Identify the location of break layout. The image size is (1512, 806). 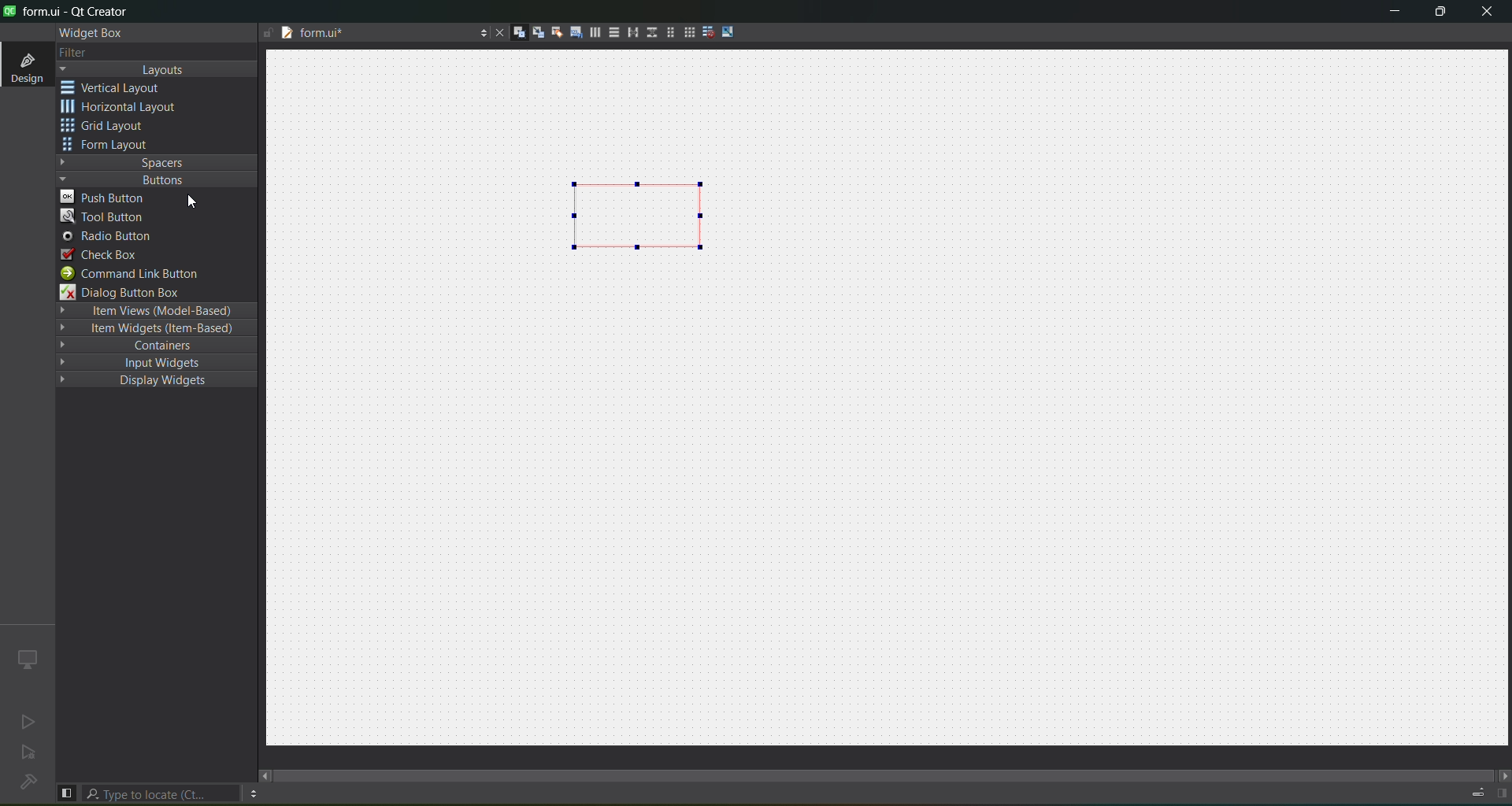
(708, 31).